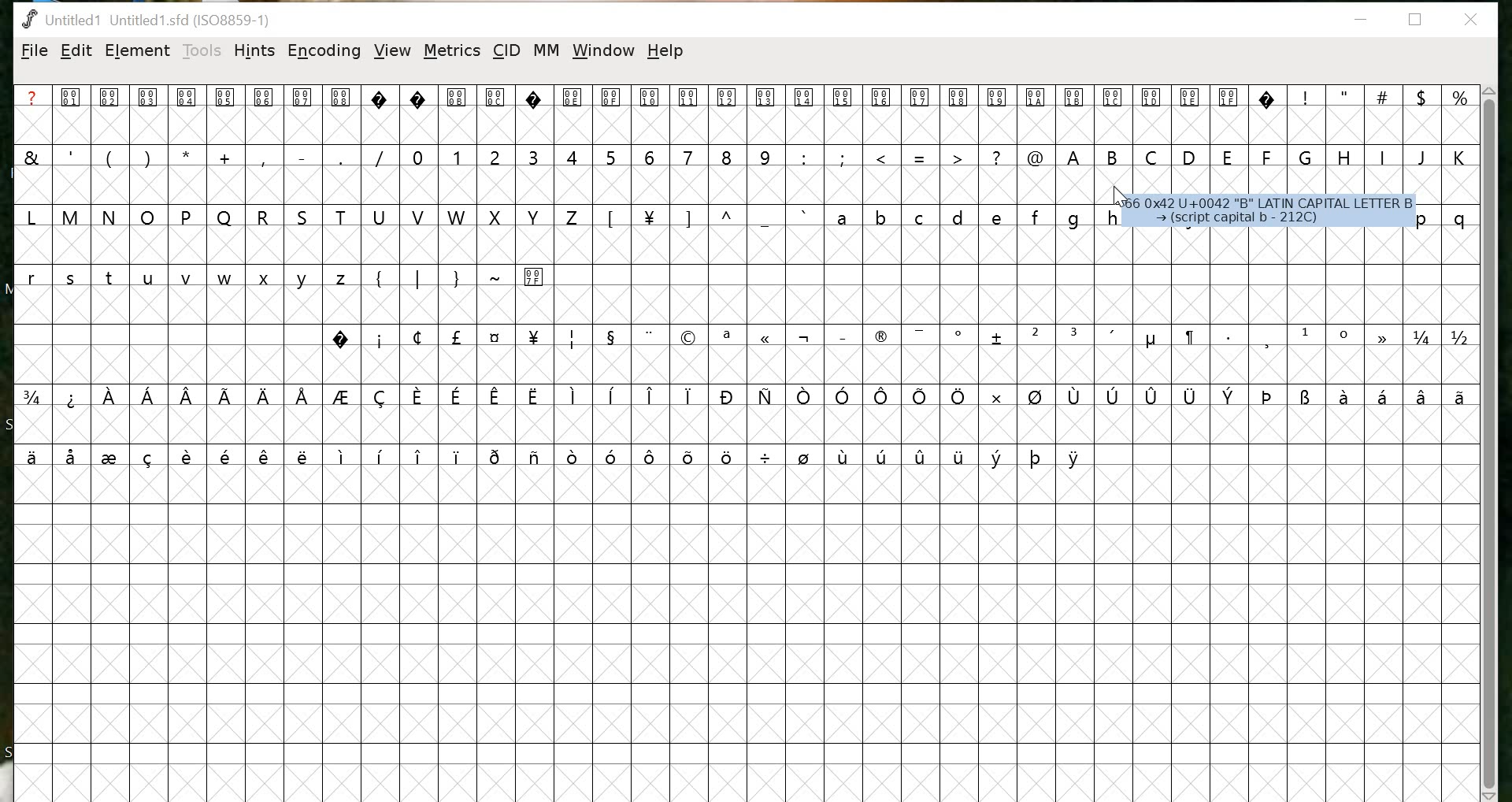  I want to click on Untitled1 Untitled 1.sfd (1IS08859-1), so click(149, 19).